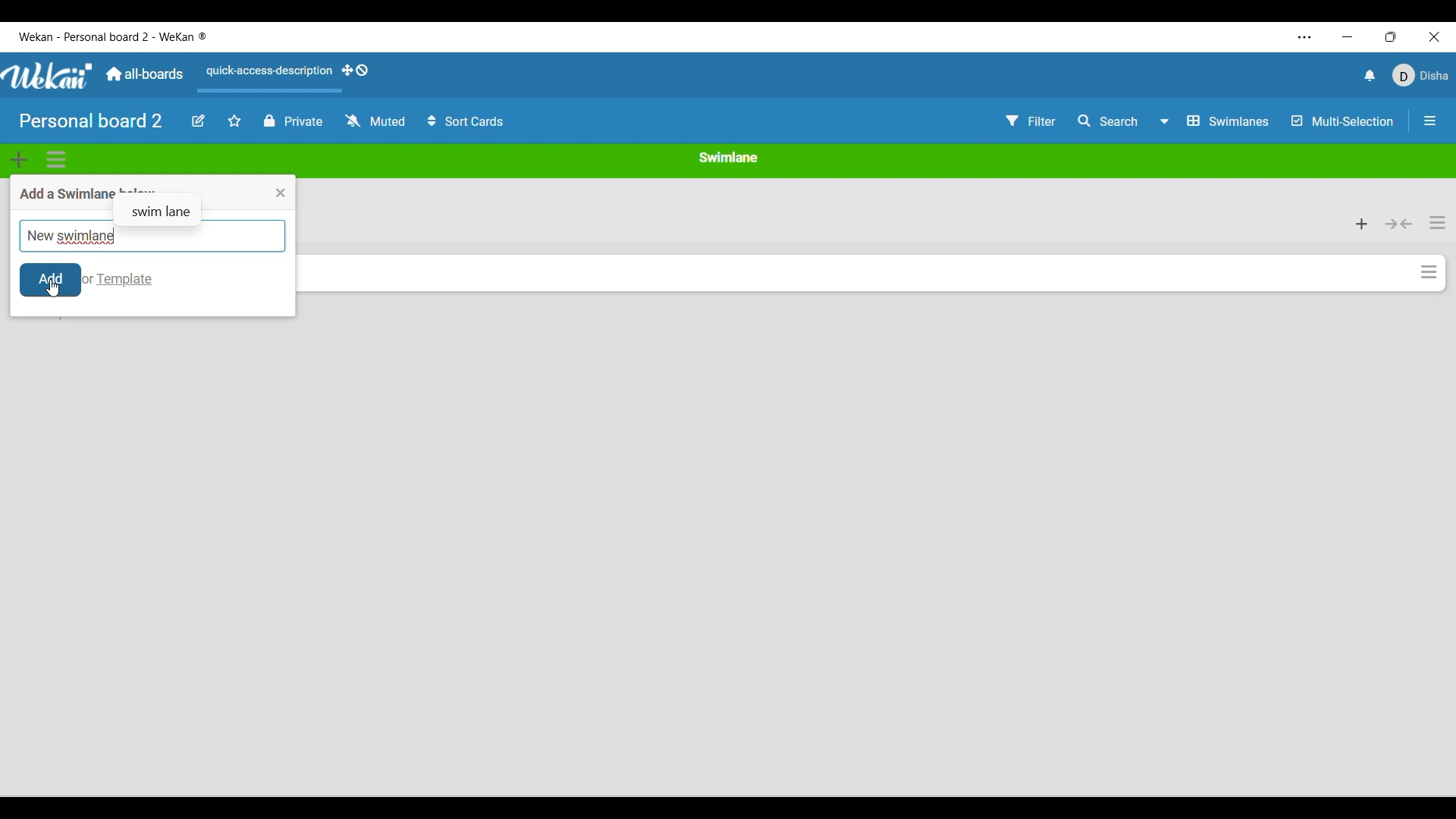 The image size is (1456, 819). I want to click on Sort card options, so click(466, 121).